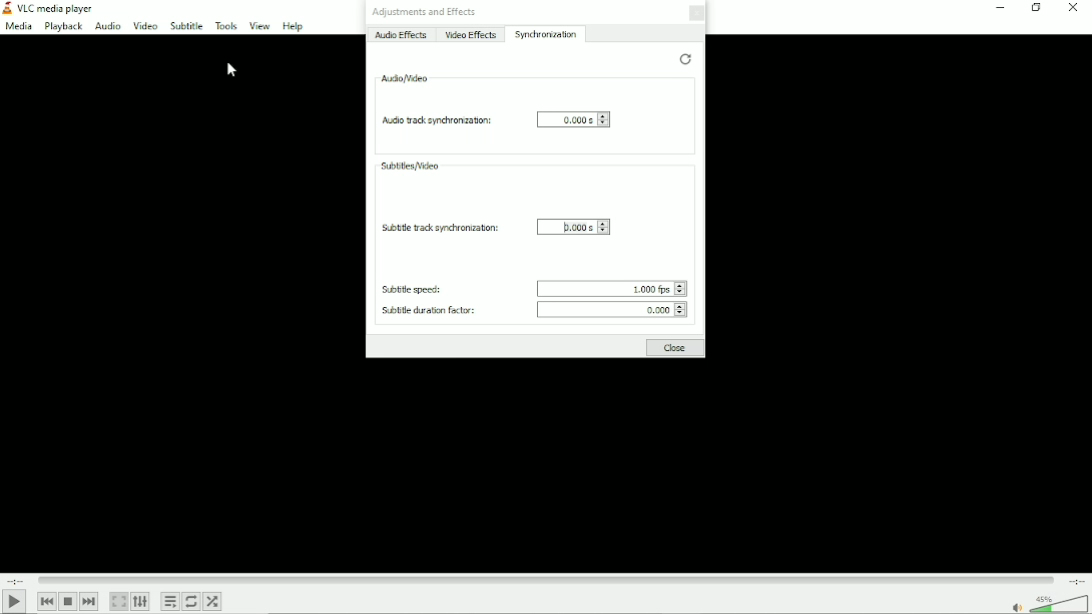 The width and height of the screenshot is (1092, 614). I want to click on 0.000 s, so click(576, 228).